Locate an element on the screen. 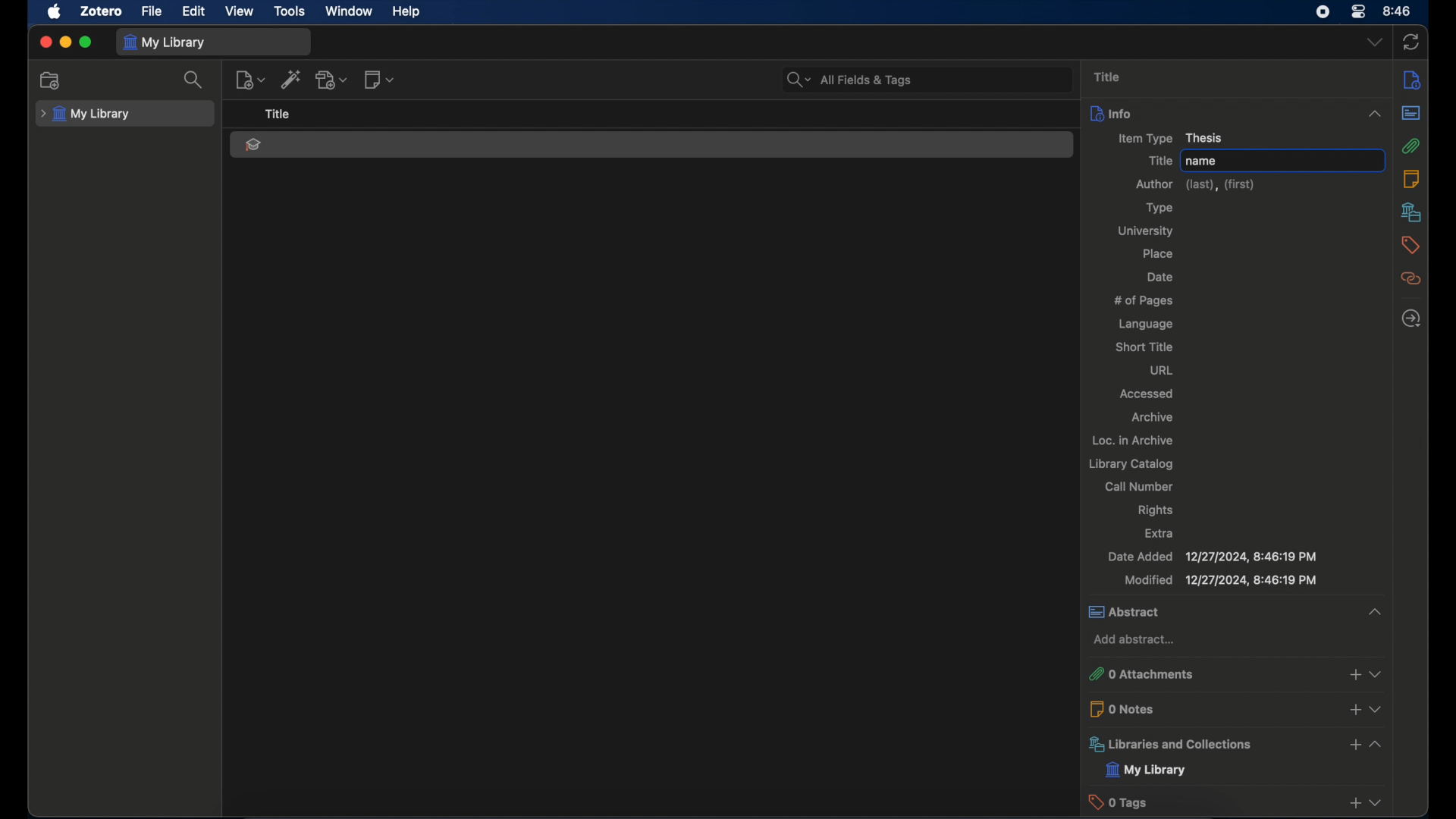  thesis is located at coordinates (252, 145).